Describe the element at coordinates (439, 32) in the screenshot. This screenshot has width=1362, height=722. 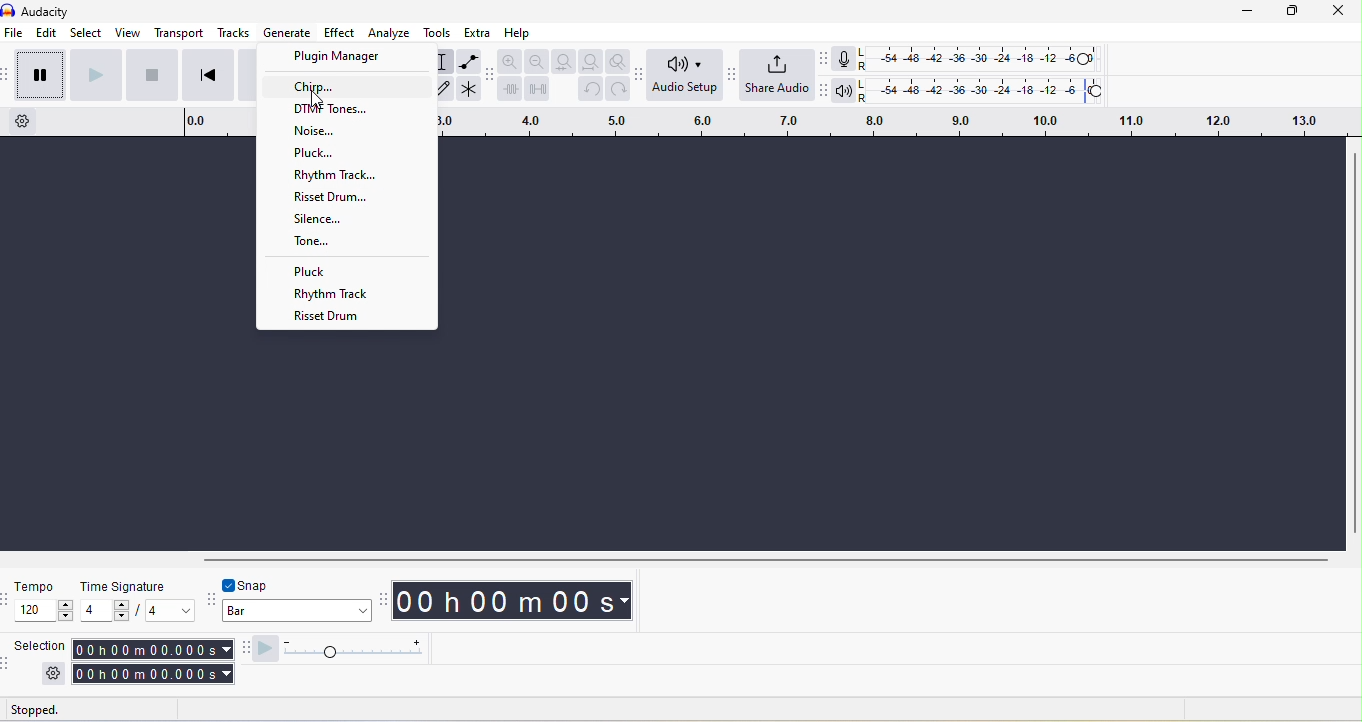
I see `tools` at that location.